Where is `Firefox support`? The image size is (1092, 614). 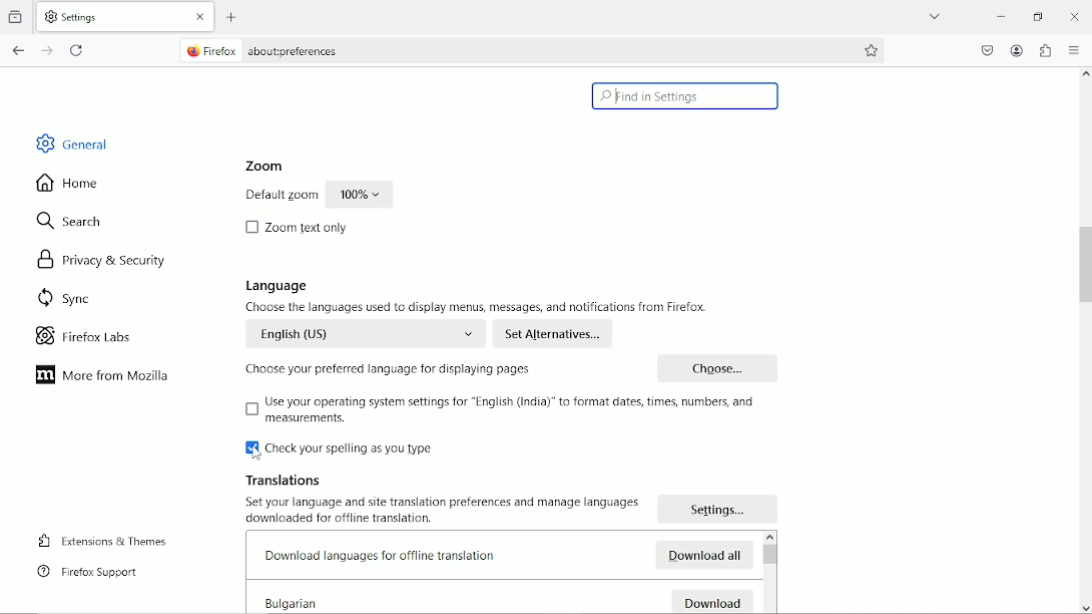
Firefox support is located at coordinates (85, 573).